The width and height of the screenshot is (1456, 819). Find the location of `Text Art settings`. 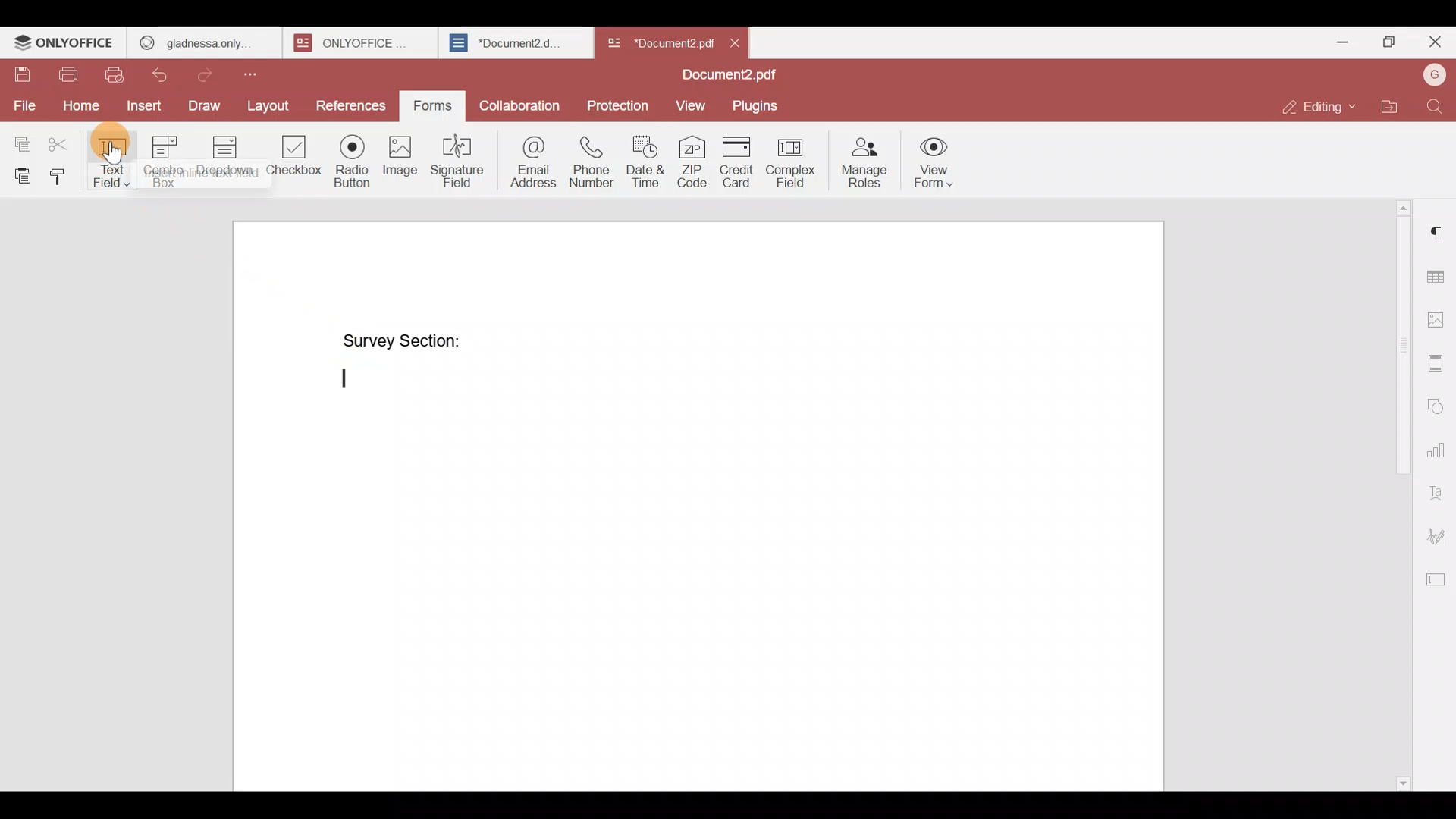

Text Art settings is located at coordinates (1439, 491).